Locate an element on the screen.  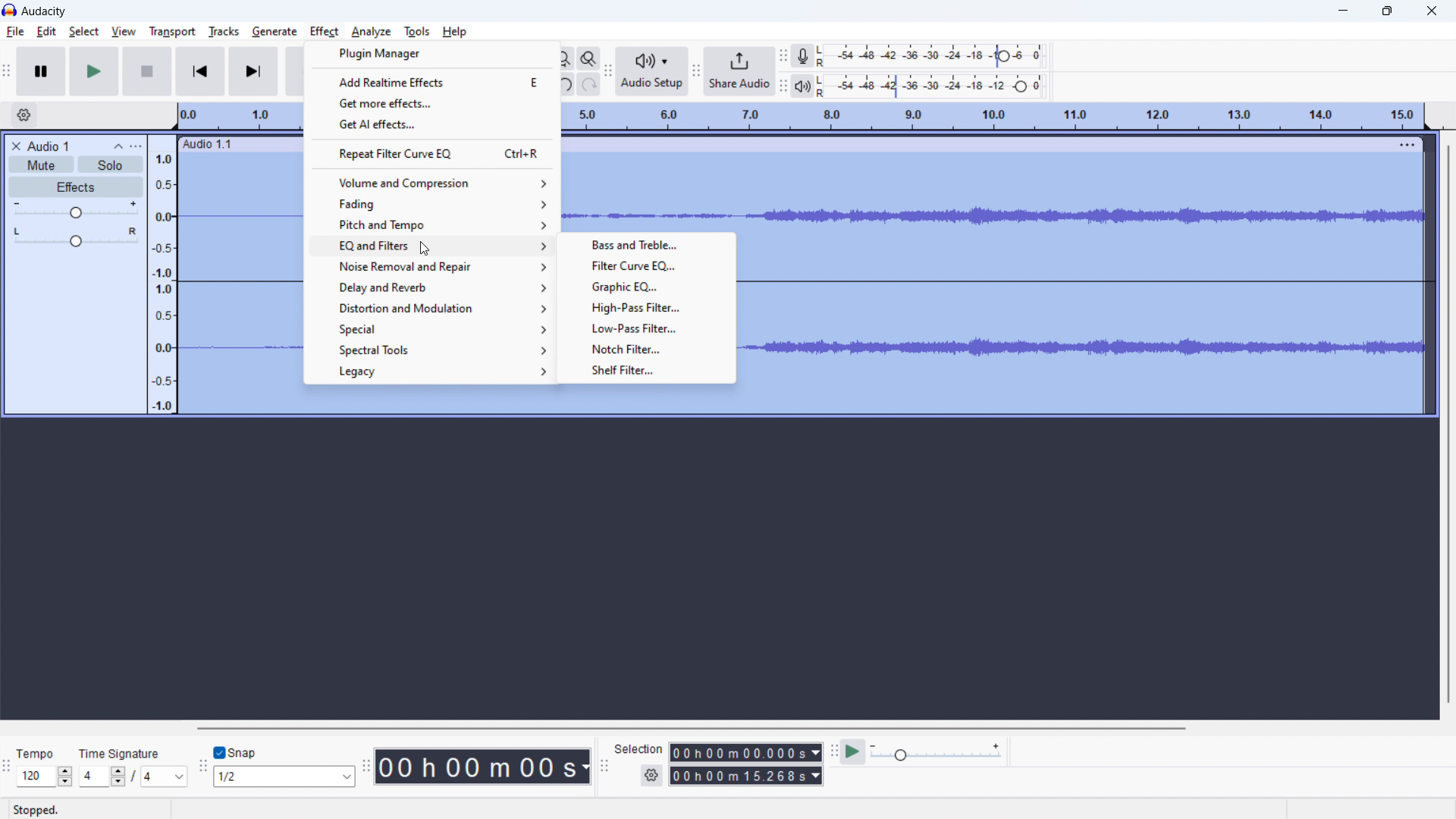
redo is located at coordinates (591, 83).